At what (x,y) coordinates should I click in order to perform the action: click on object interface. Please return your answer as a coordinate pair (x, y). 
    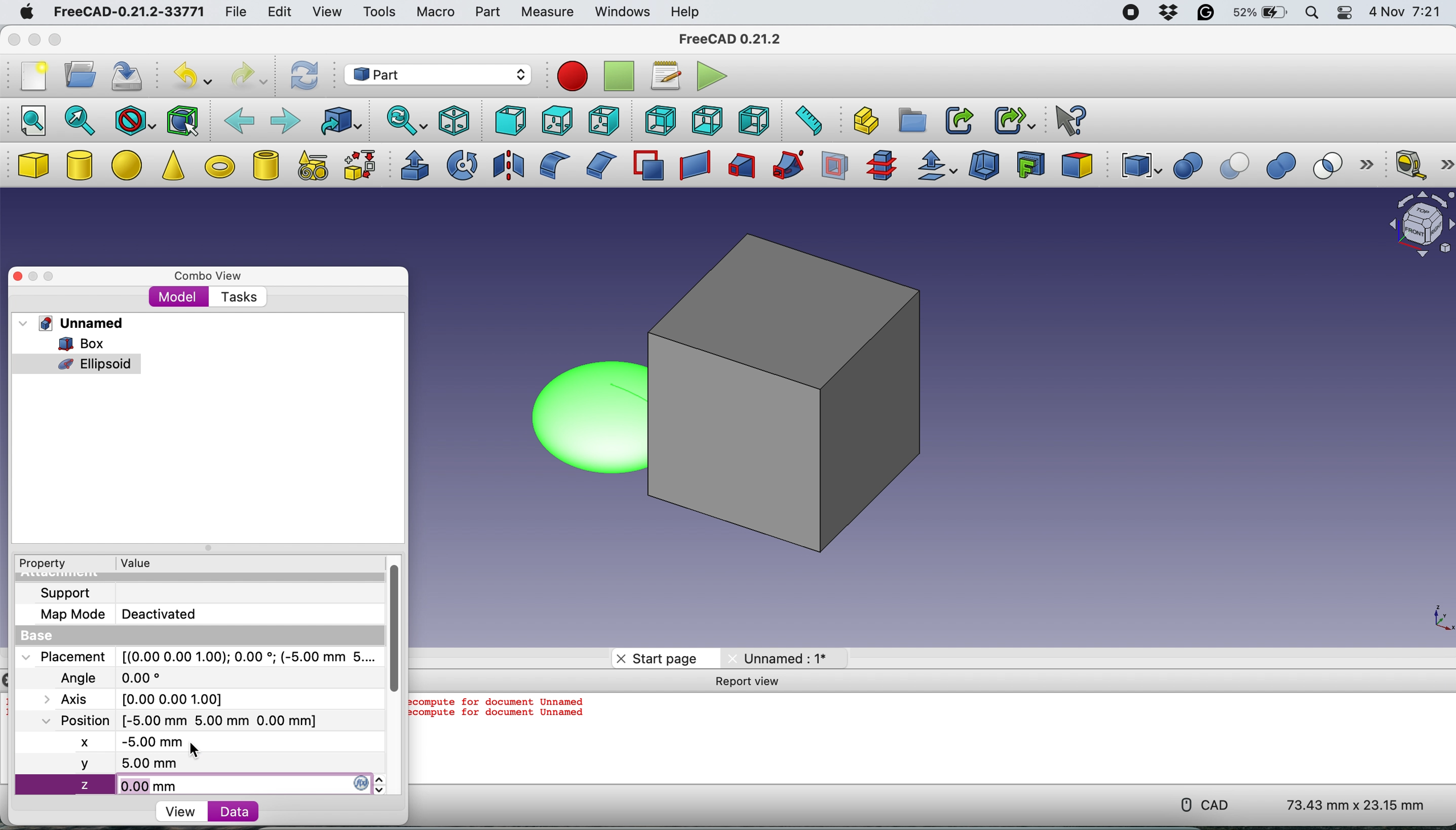
    Looking at the image, I should click on (1421, 226).